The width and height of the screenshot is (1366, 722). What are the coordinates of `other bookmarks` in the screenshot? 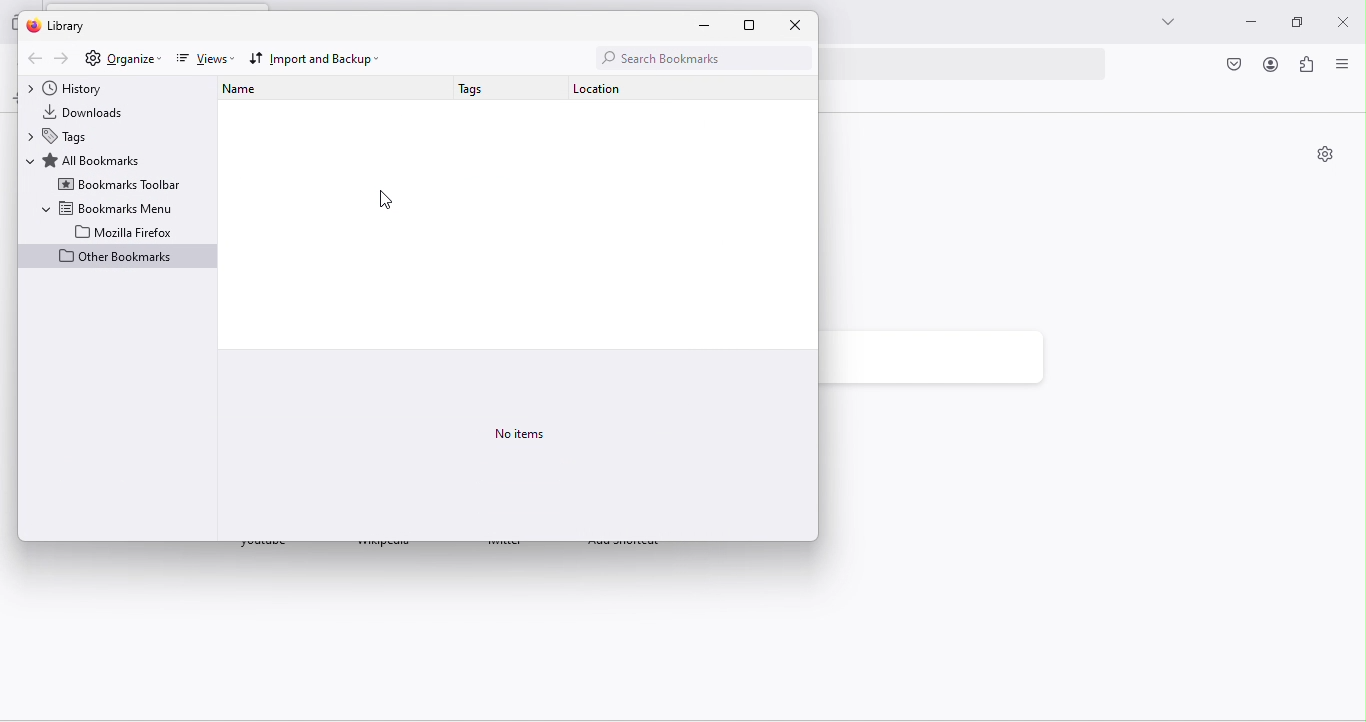 It's located at (117, 258).